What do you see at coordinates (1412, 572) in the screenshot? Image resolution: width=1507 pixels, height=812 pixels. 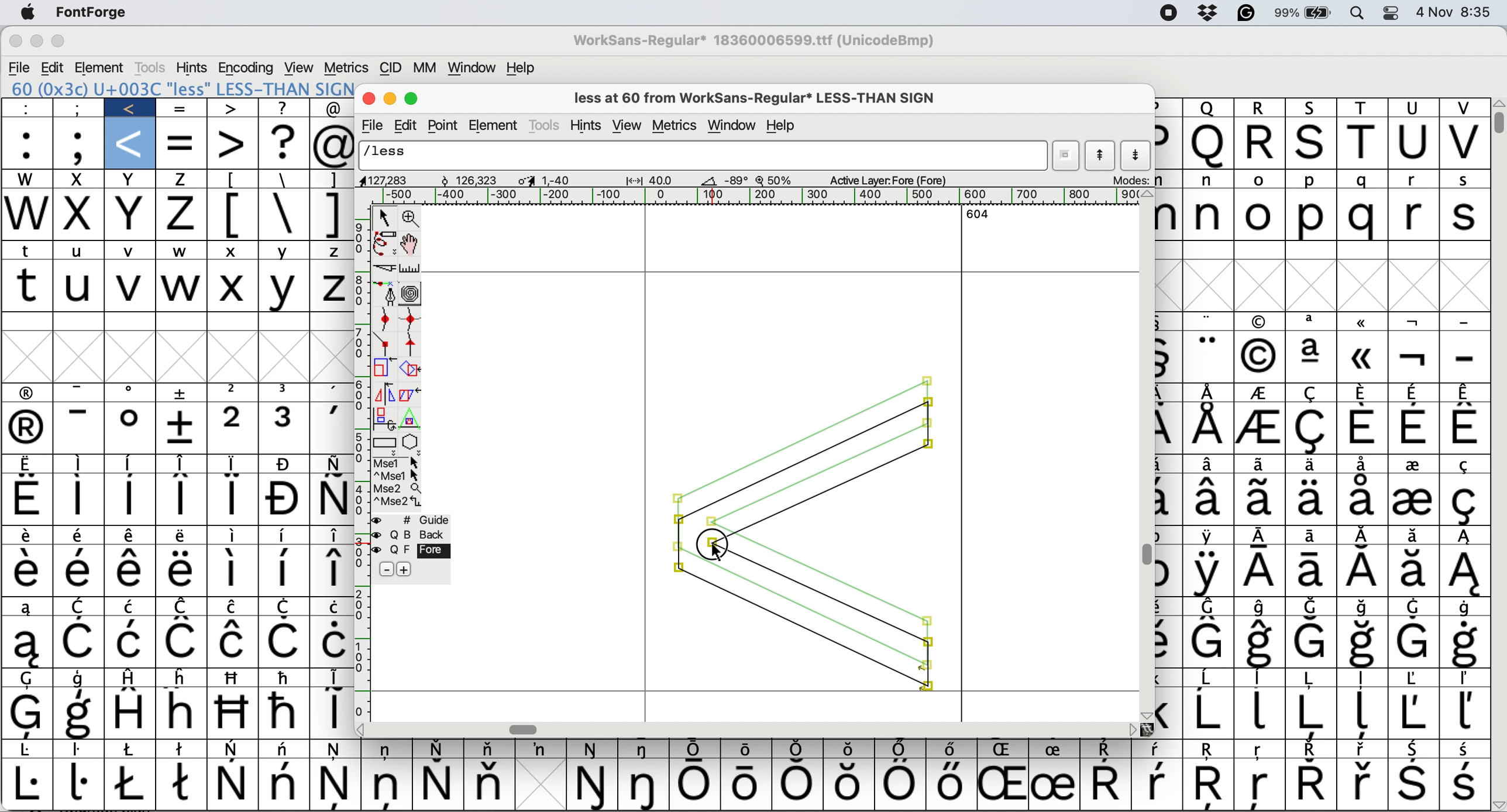 I see `Symbol` at bounding box center [1412, 572].